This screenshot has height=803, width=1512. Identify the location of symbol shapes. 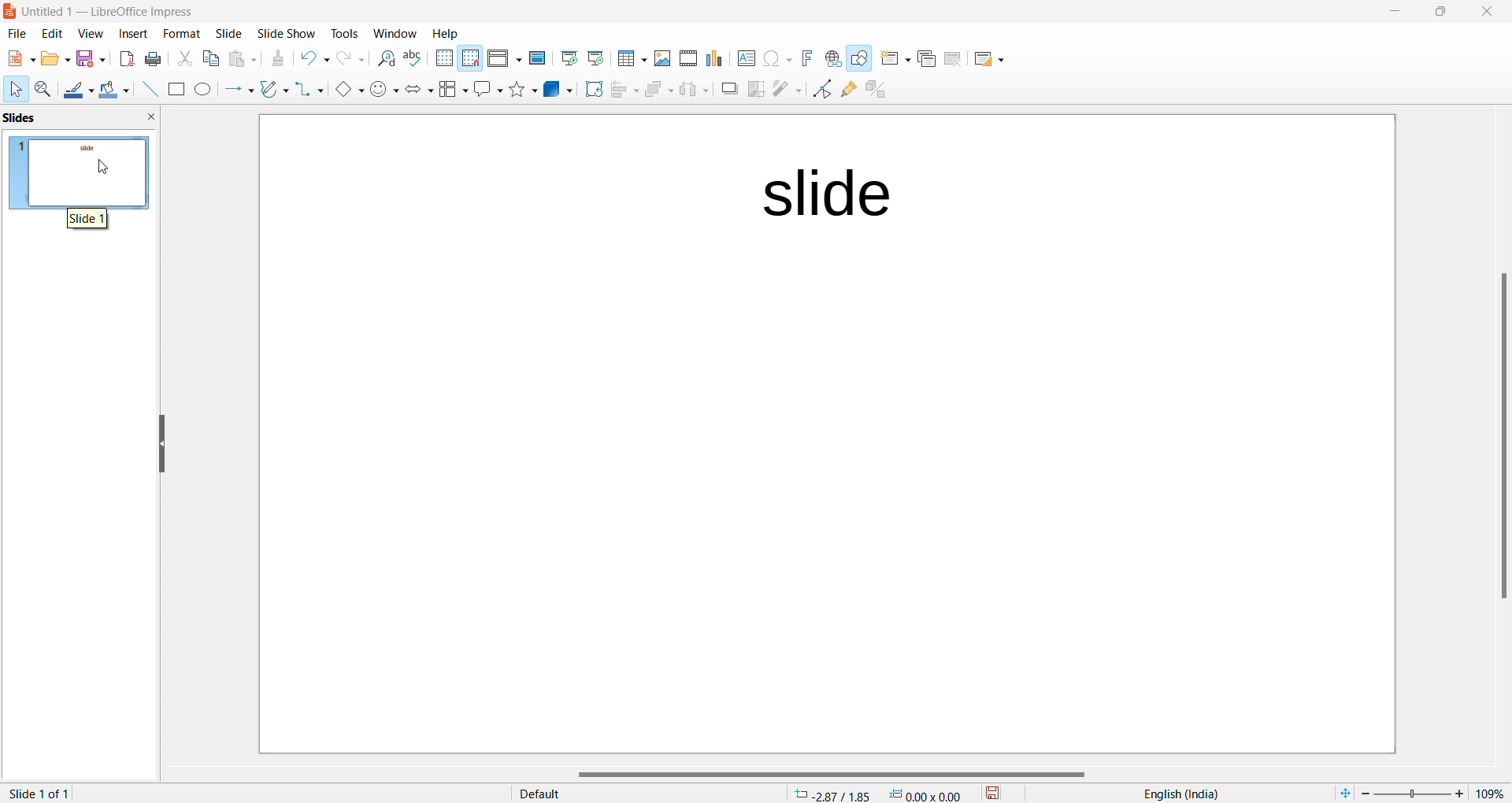
(384, 90).